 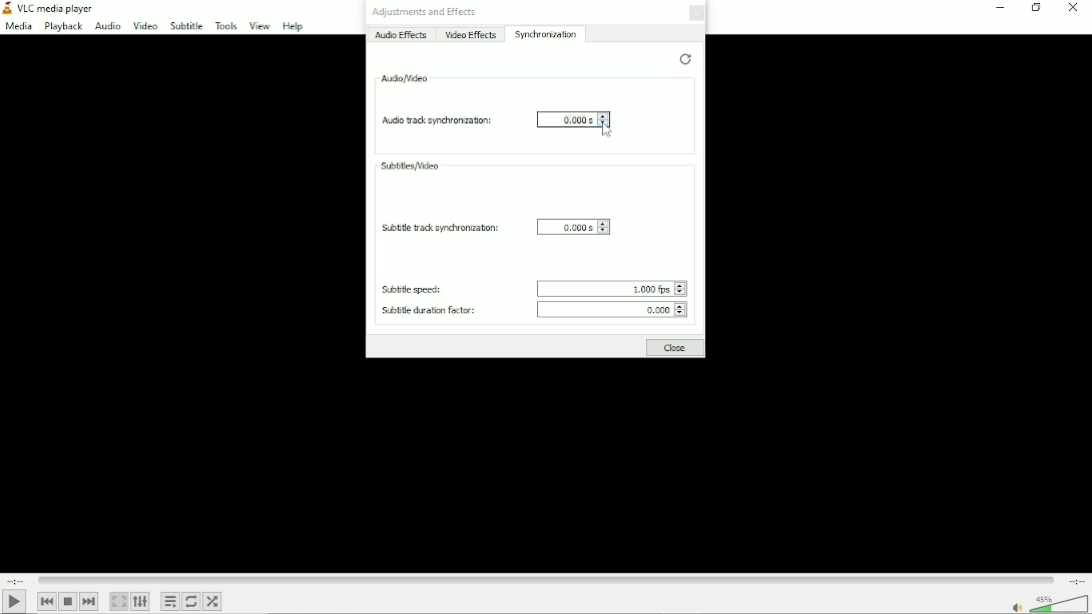 I want to click on Next, so click(x=89, y=601).